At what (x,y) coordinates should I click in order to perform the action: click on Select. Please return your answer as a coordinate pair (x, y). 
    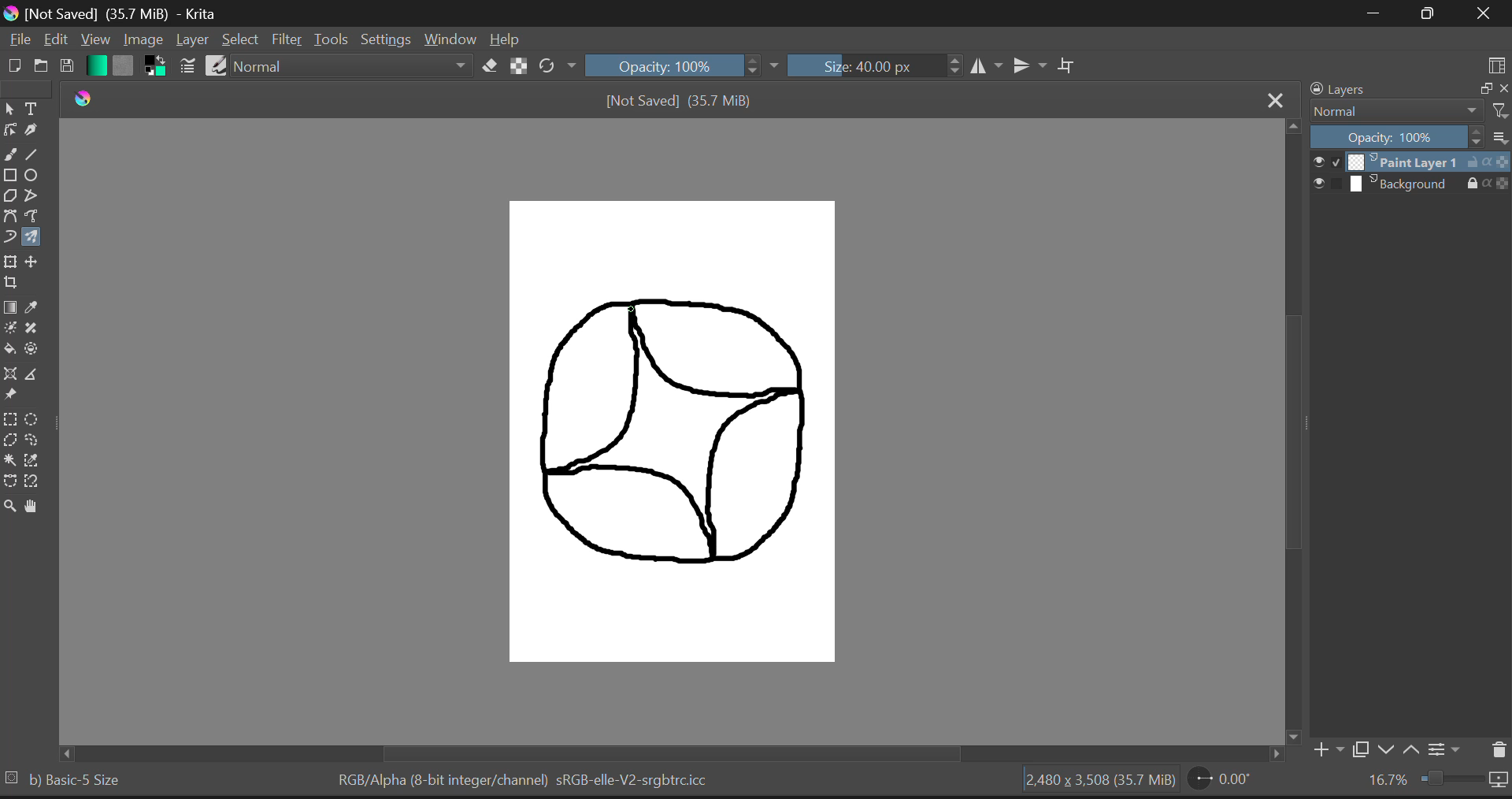
    Looking at the image, I should click on (9, 109).